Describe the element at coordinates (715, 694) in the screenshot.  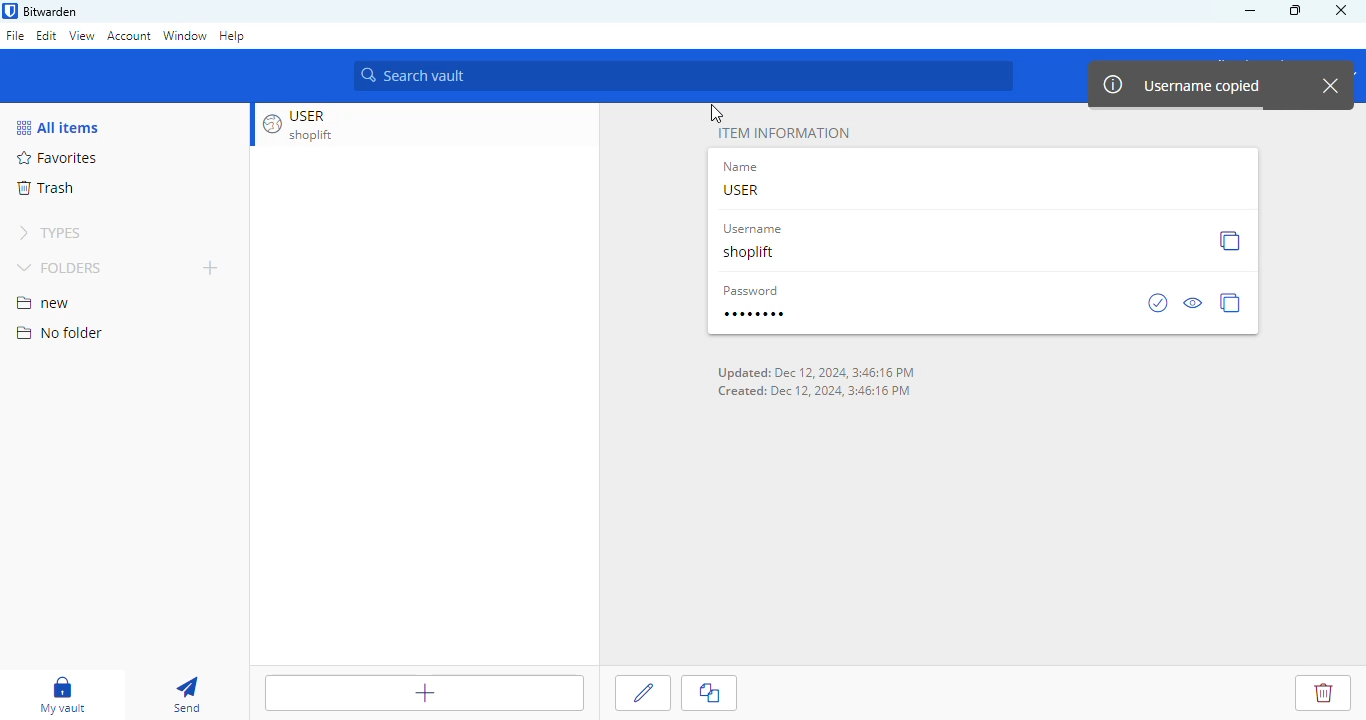
I see `clone` at that location.